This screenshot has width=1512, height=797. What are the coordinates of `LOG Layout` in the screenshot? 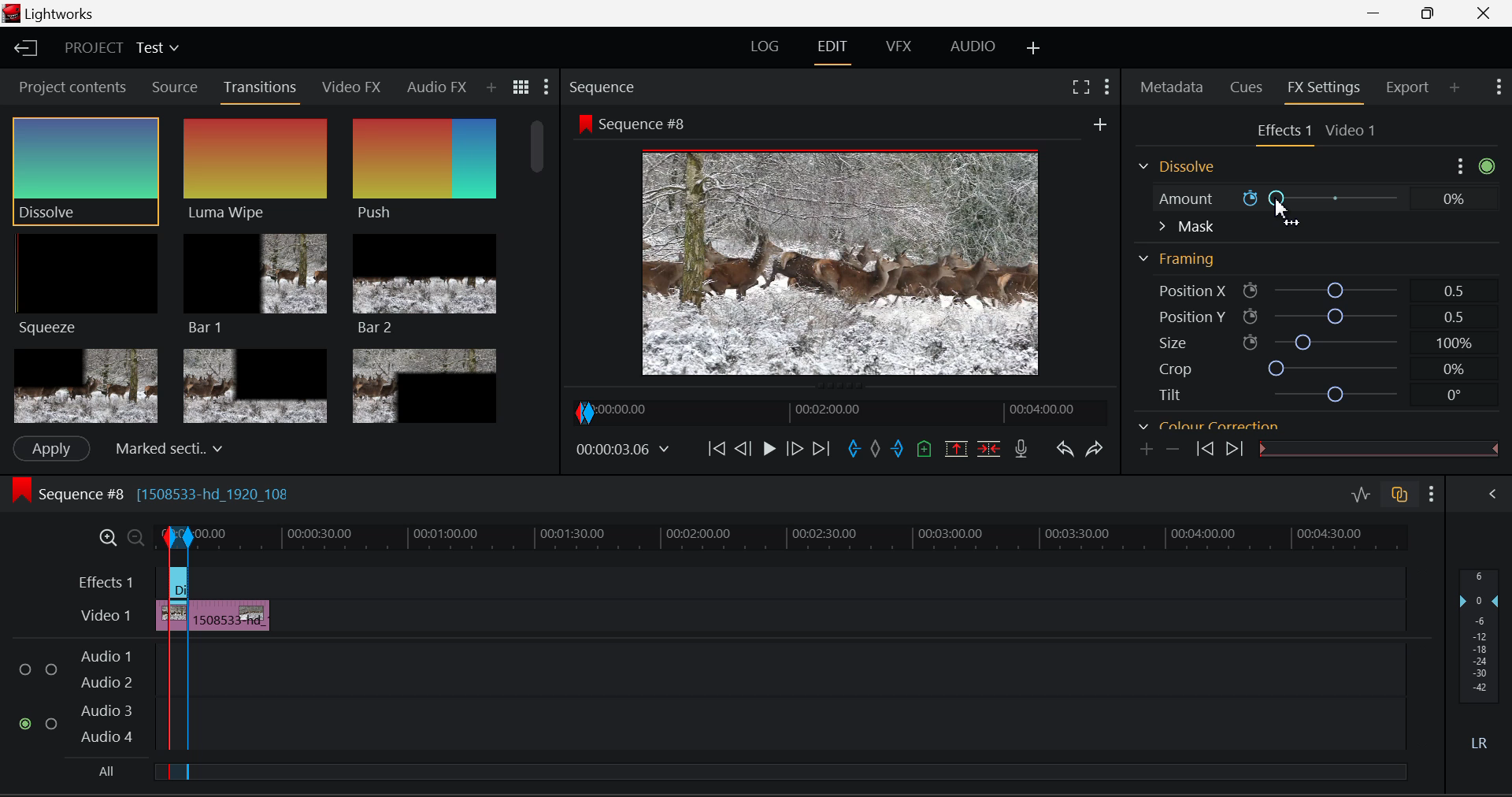 It's located at (765, 50).